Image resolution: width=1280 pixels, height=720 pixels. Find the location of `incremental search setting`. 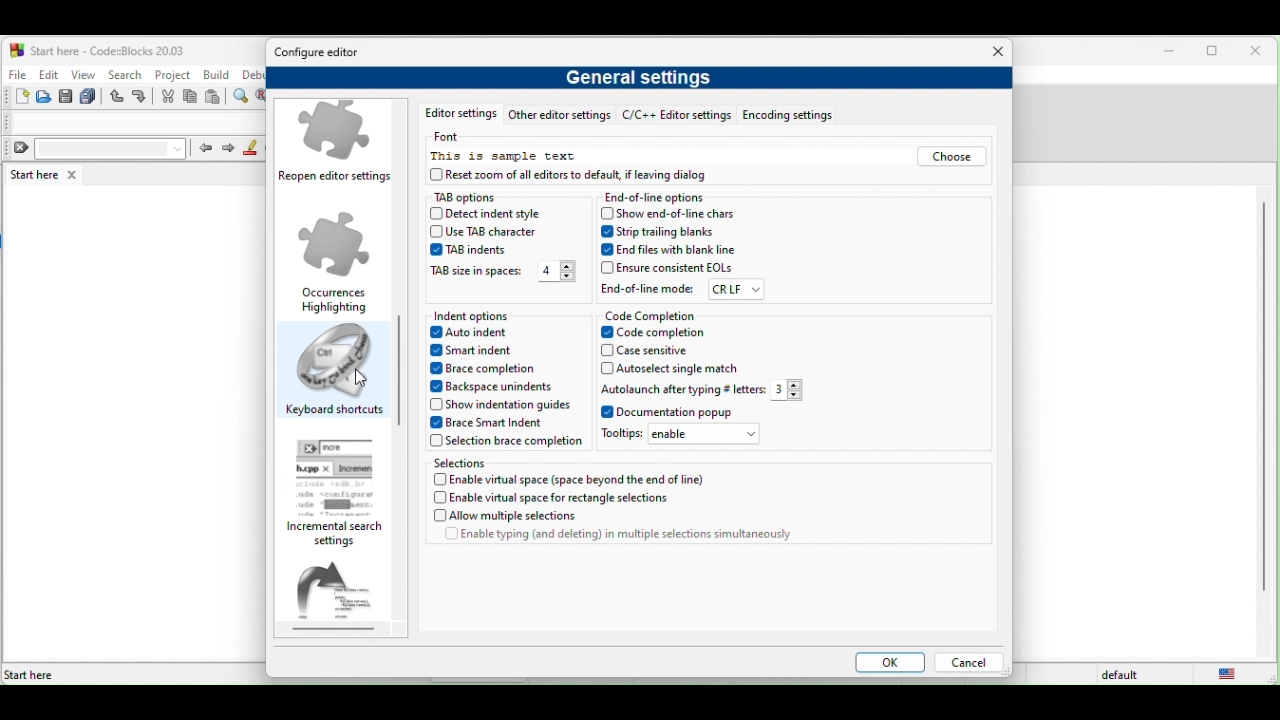

incremental search setting is located at coordinates (341, 493).